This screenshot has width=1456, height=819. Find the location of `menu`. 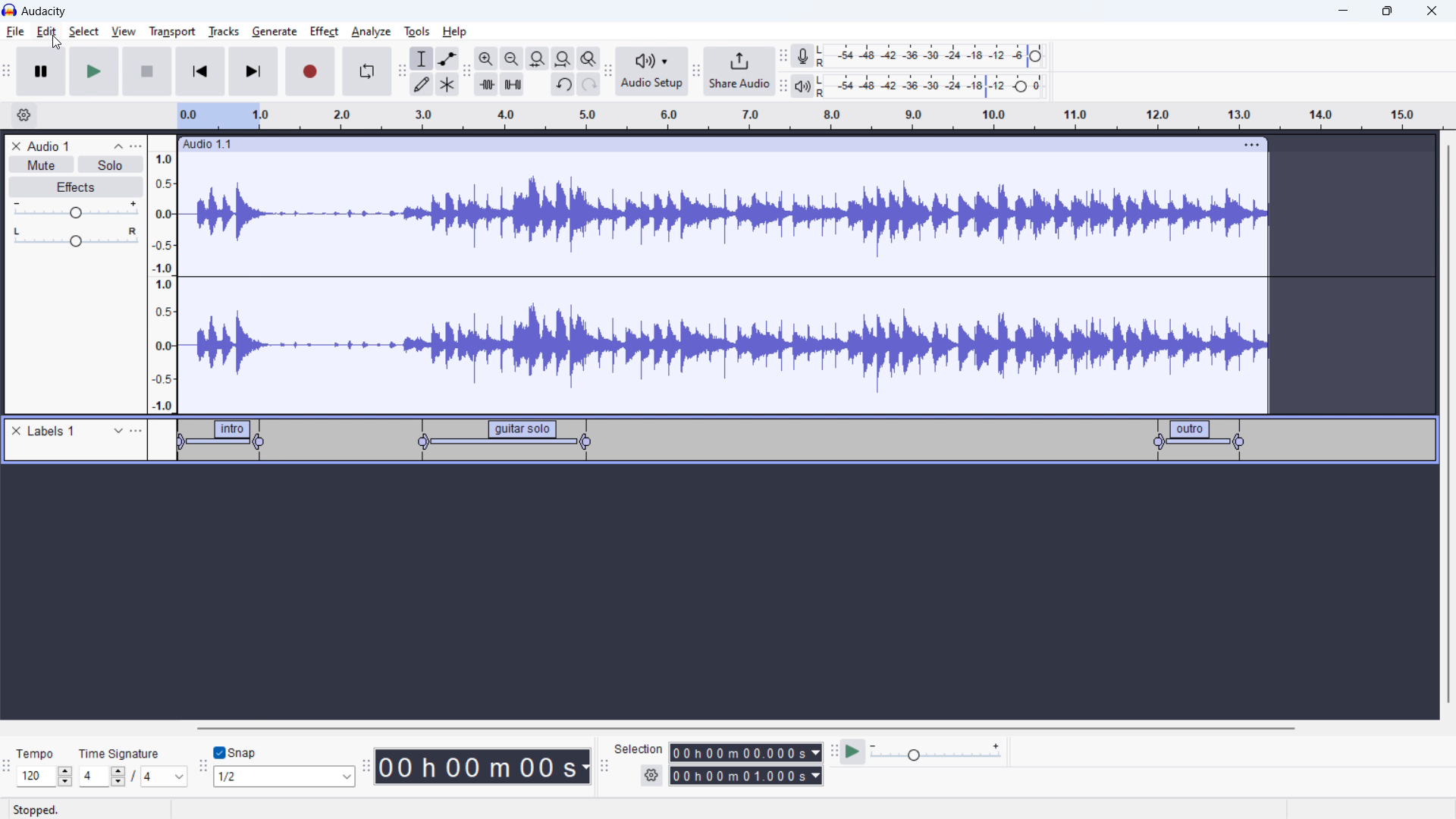

menu is located at coordinates (137, 146).